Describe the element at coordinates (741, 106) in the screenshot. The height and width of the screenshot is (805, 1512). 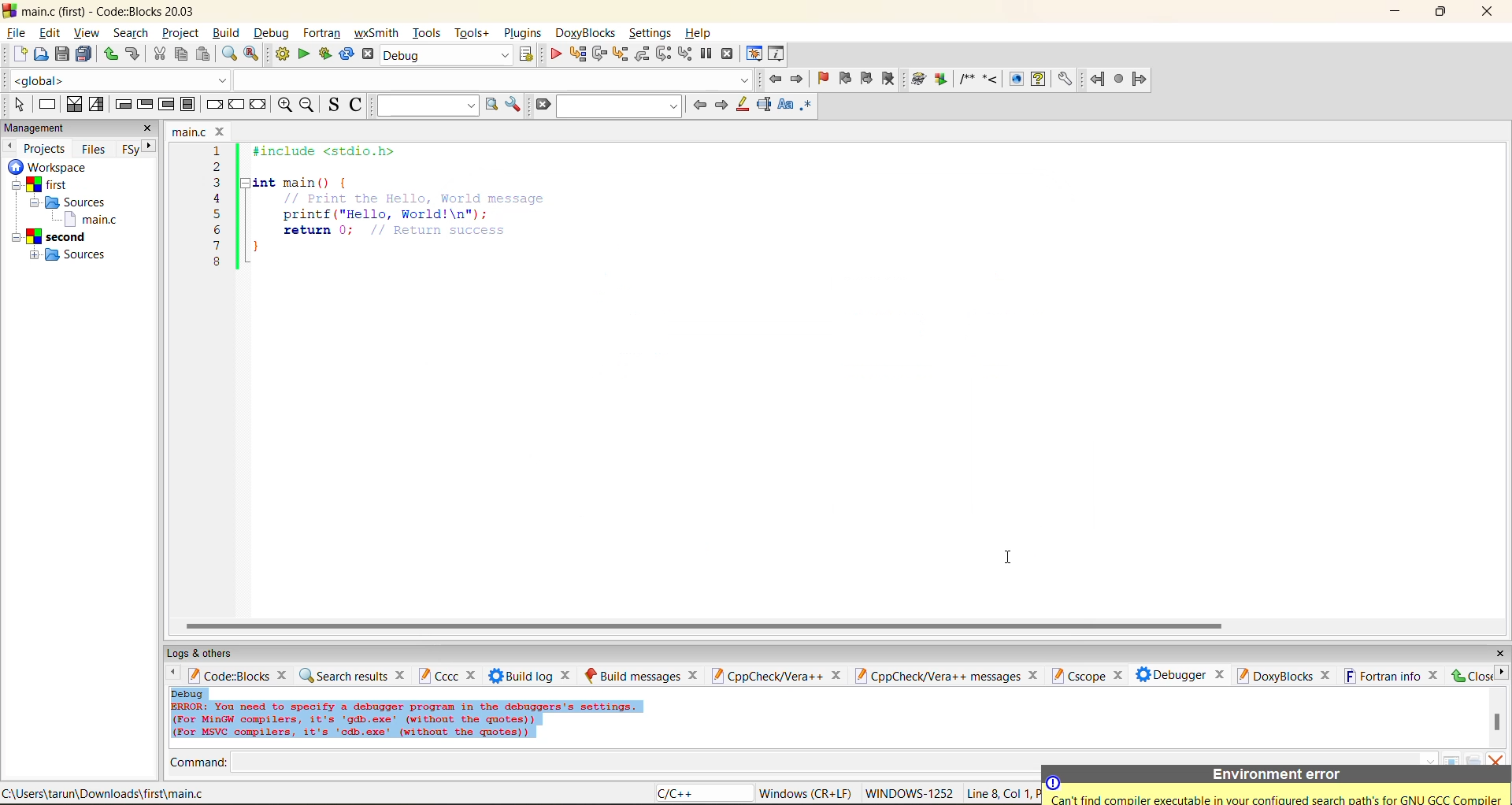
I see `highlight` at that location.